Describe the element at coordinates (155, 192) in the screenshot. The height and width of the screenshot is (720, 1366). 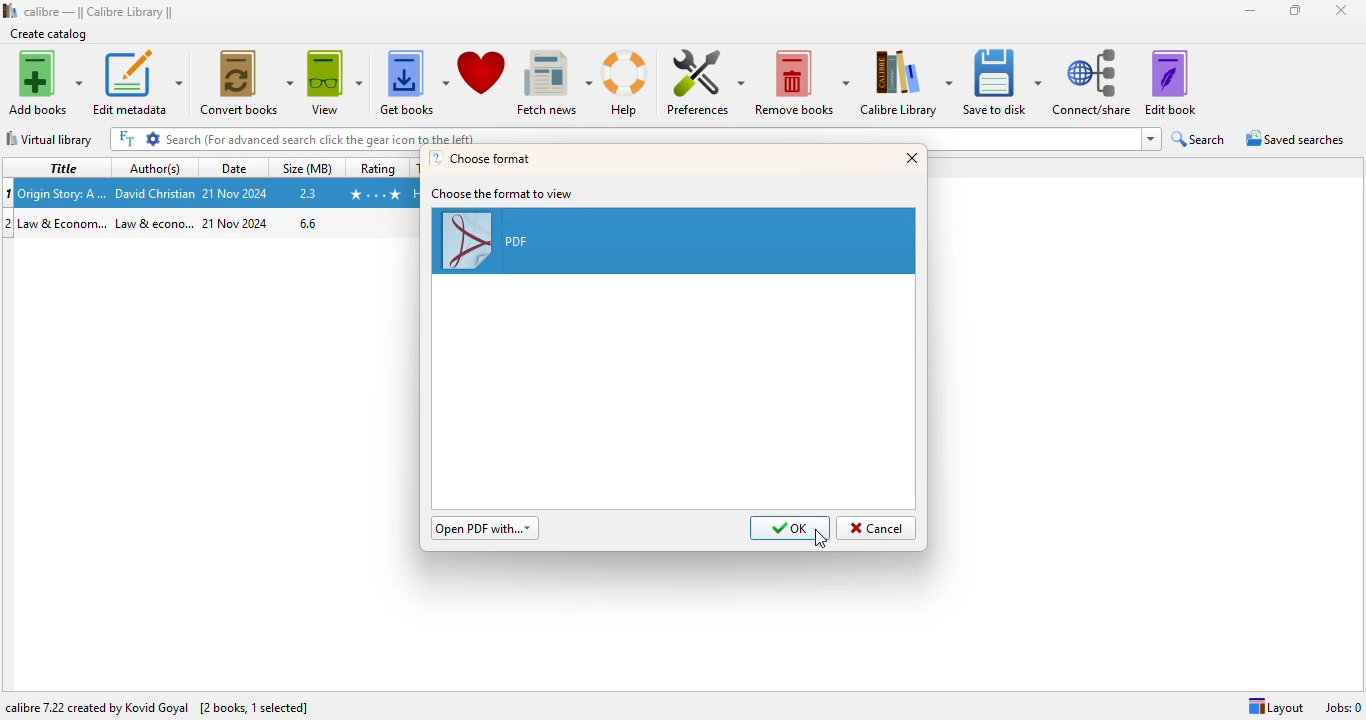
I see `Author` at that location.